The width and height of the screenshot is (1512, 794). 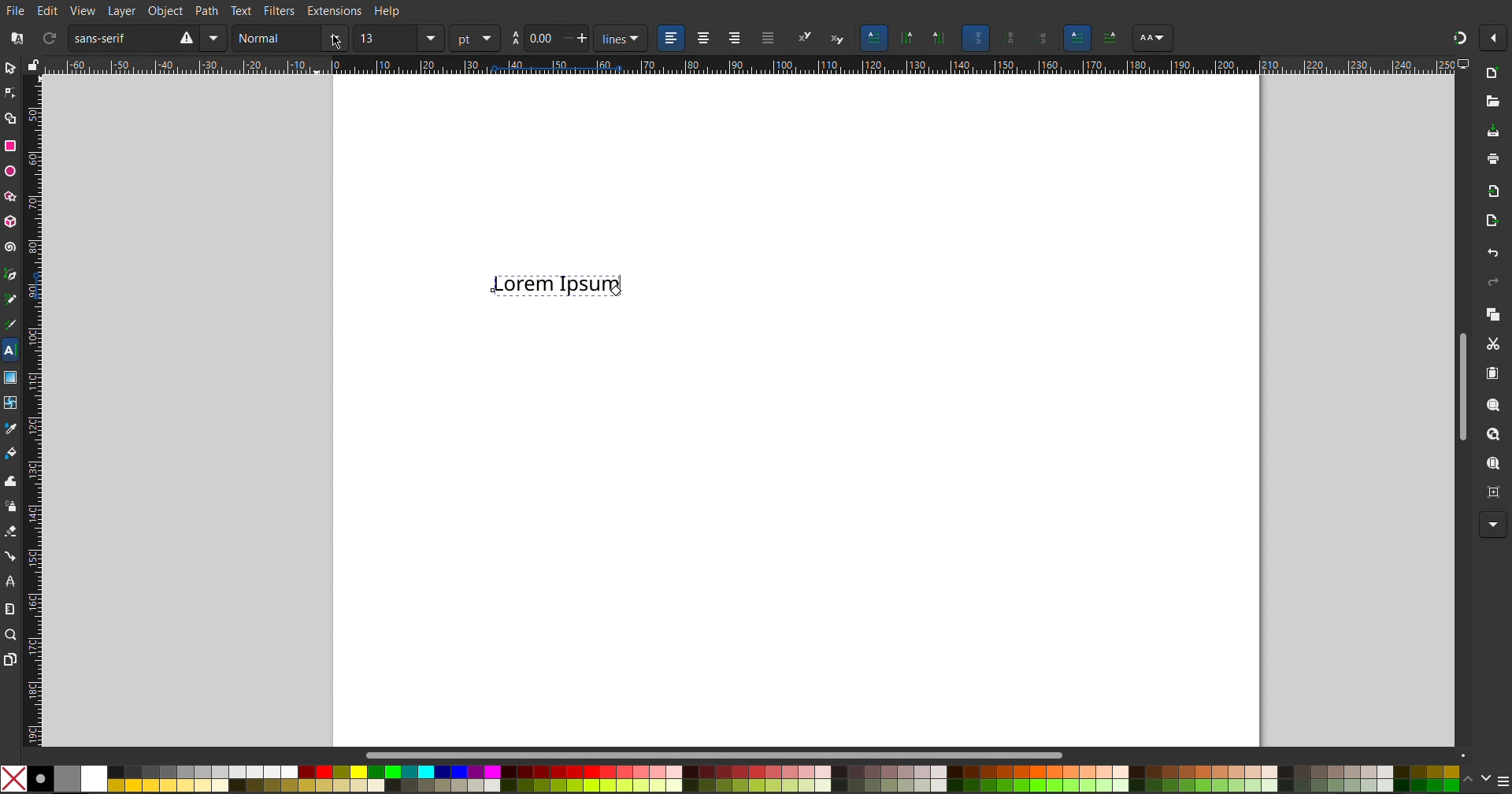 What do you see at coordinates (1492, 100) in the screenshot?
I see `Open` at bounding box center [1492, 100].